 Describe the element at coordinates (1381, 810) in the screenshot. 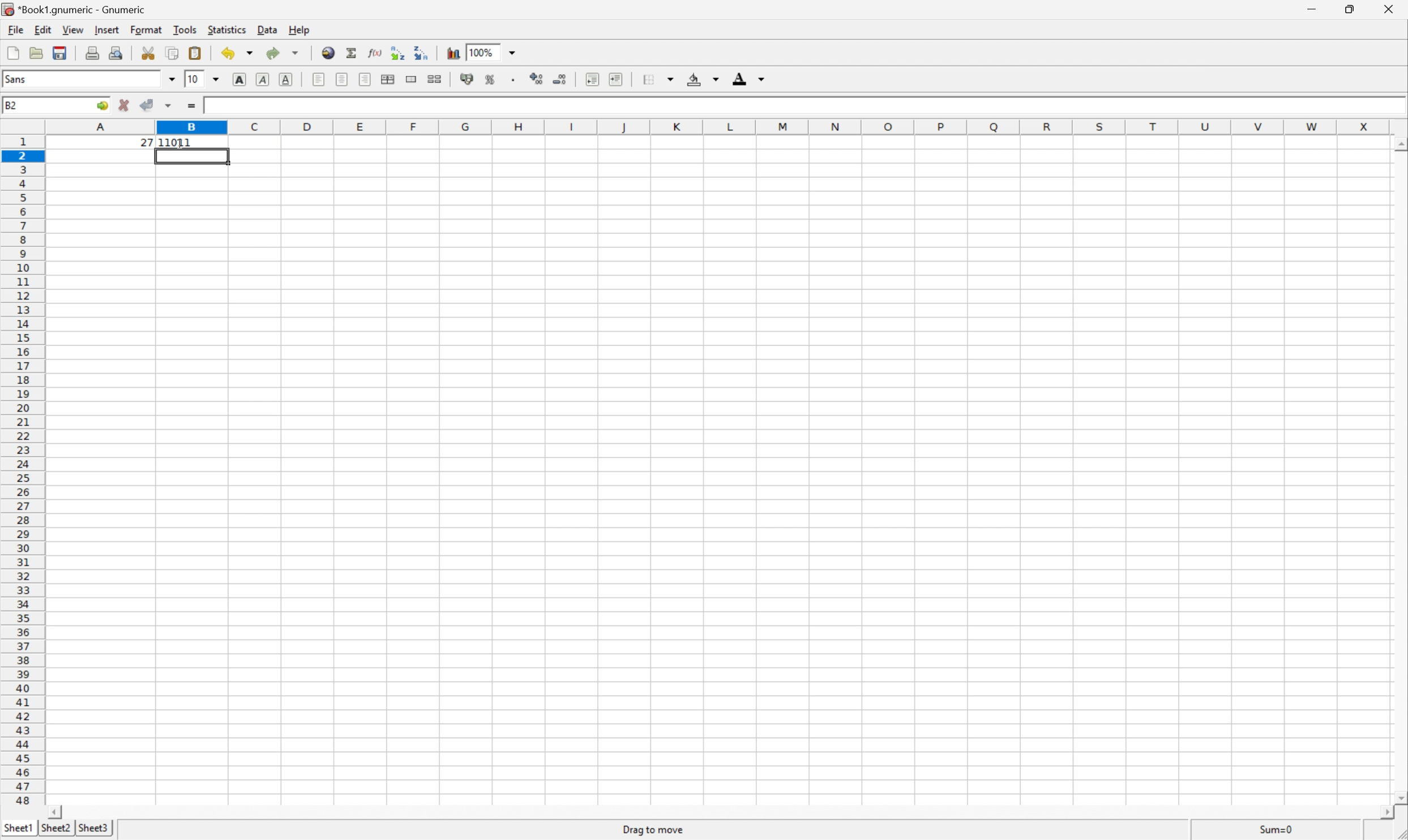

I see `Scroll Right` at that location.